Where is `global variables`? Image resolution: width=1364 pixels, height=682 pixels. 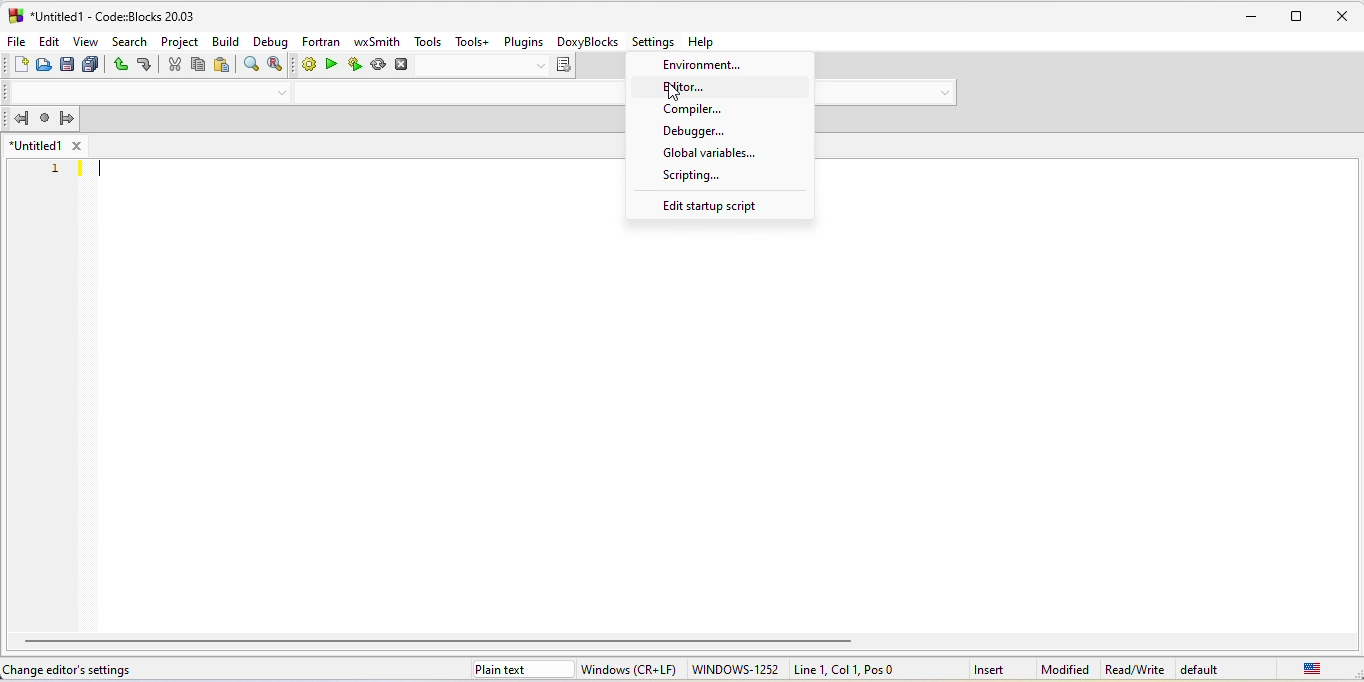
global variables is located at coordinates (707, 154).